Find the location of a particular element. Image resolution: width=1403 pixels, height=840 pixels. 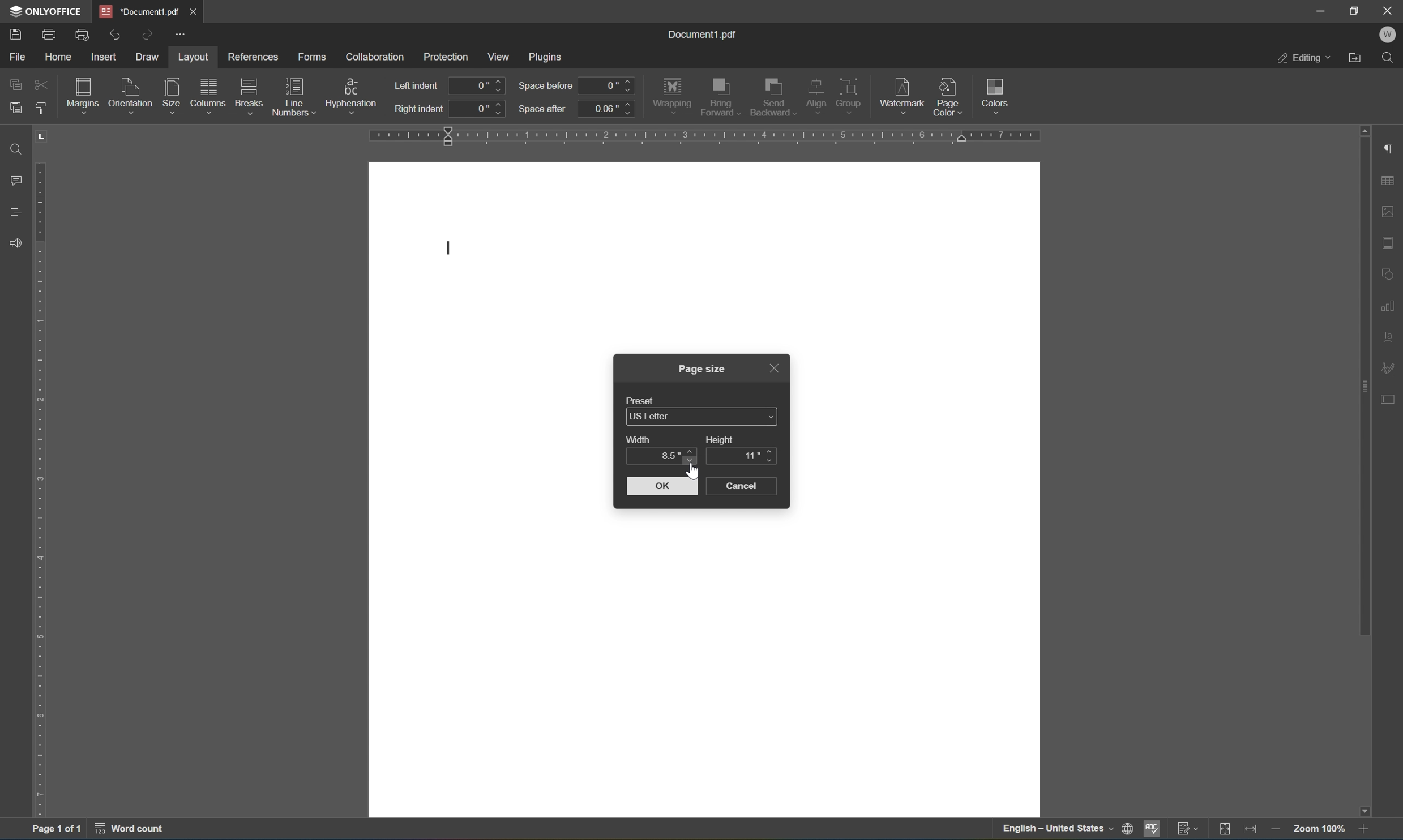

left indent is located at coordinates (418, 84).